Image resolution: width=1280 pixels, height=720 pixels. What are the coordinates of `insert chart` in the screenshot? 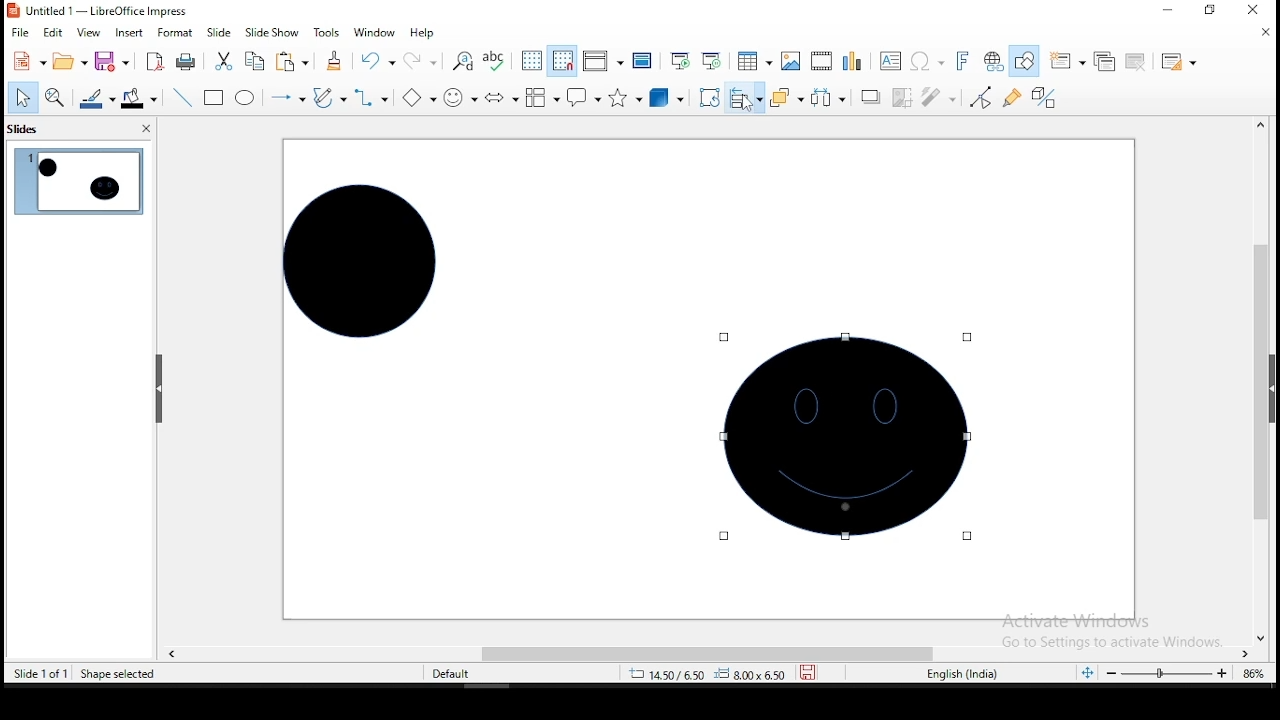 It's located at (852, 60).